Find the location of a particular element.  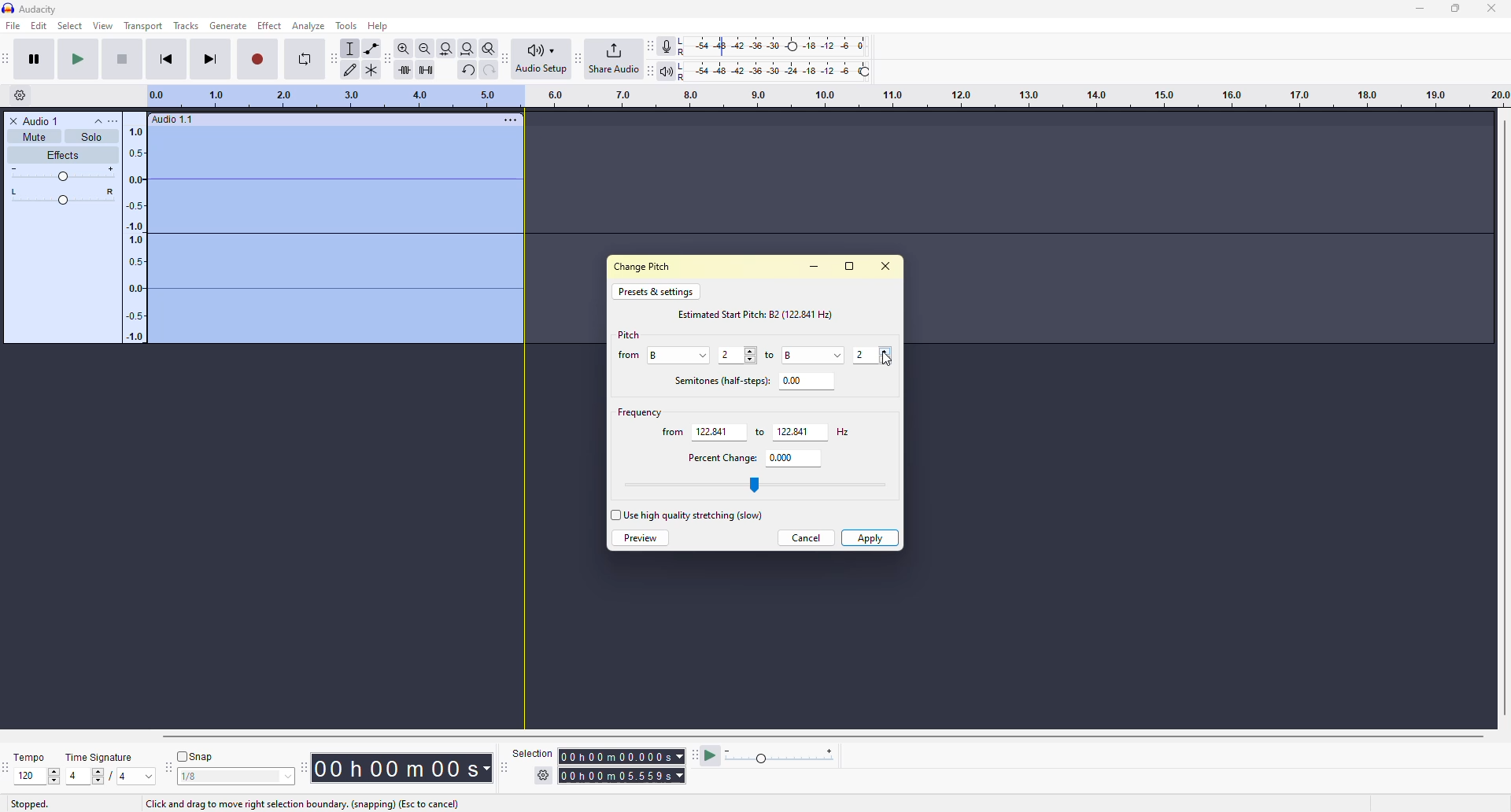

snap is located at coordinates (198, 756).